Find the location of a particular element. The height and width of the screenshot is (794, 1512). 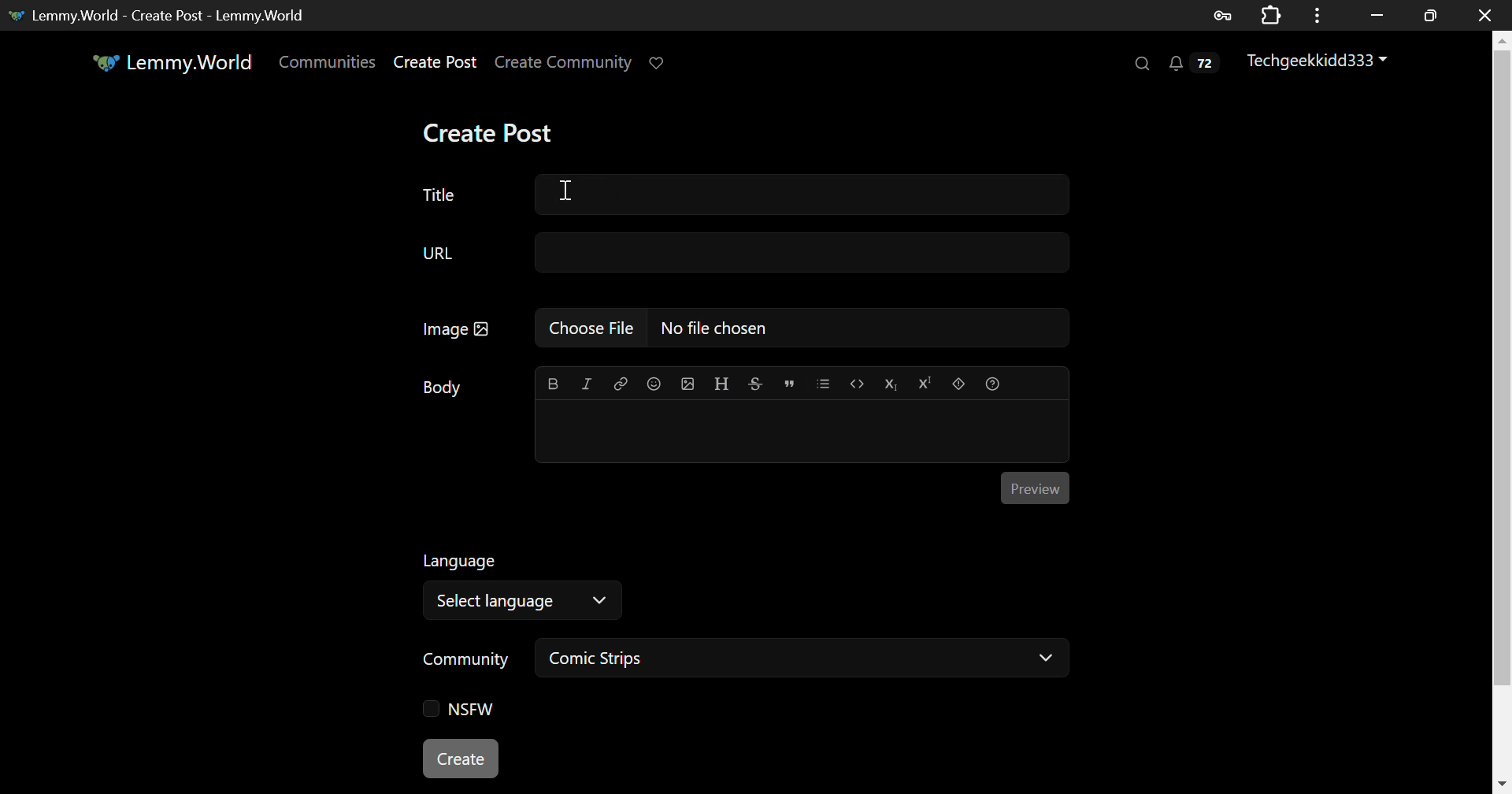

Quote is located at coordinates (789, 382).